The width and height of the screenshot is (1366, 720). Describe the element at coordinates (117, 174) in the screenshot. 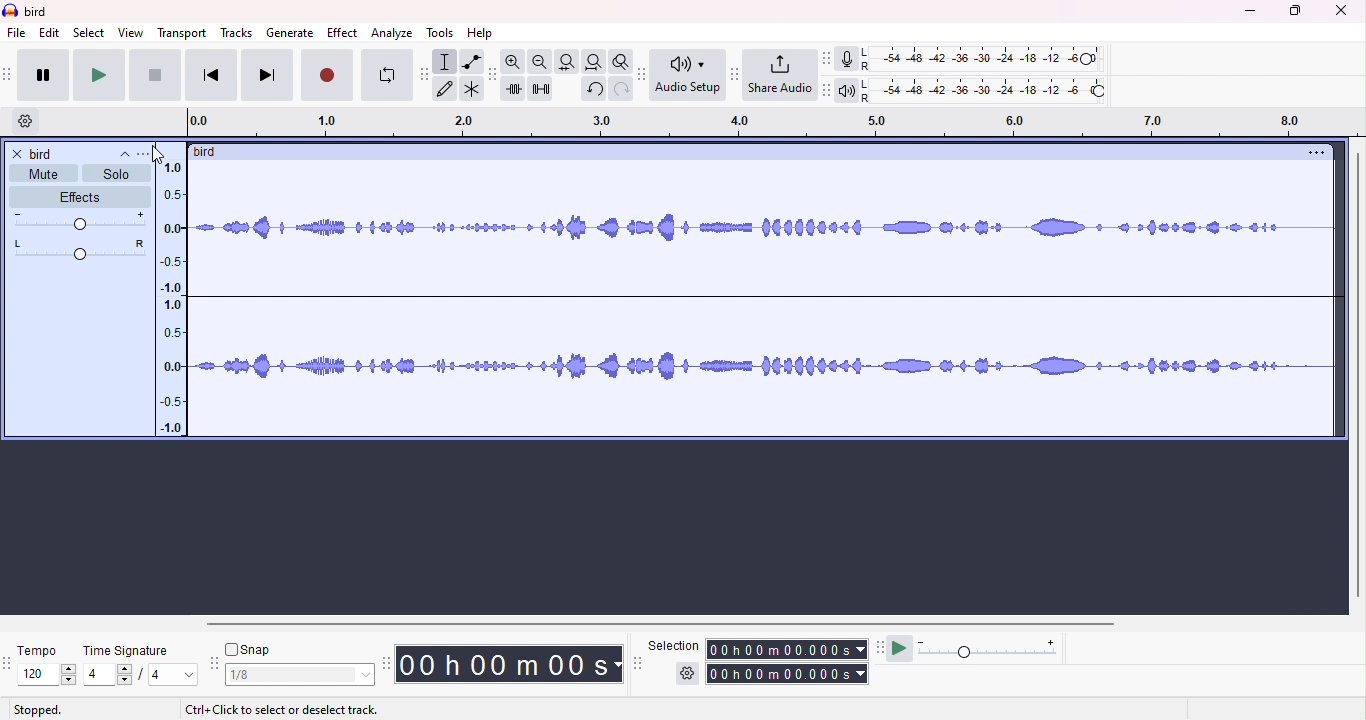

I see `solo` at that location.